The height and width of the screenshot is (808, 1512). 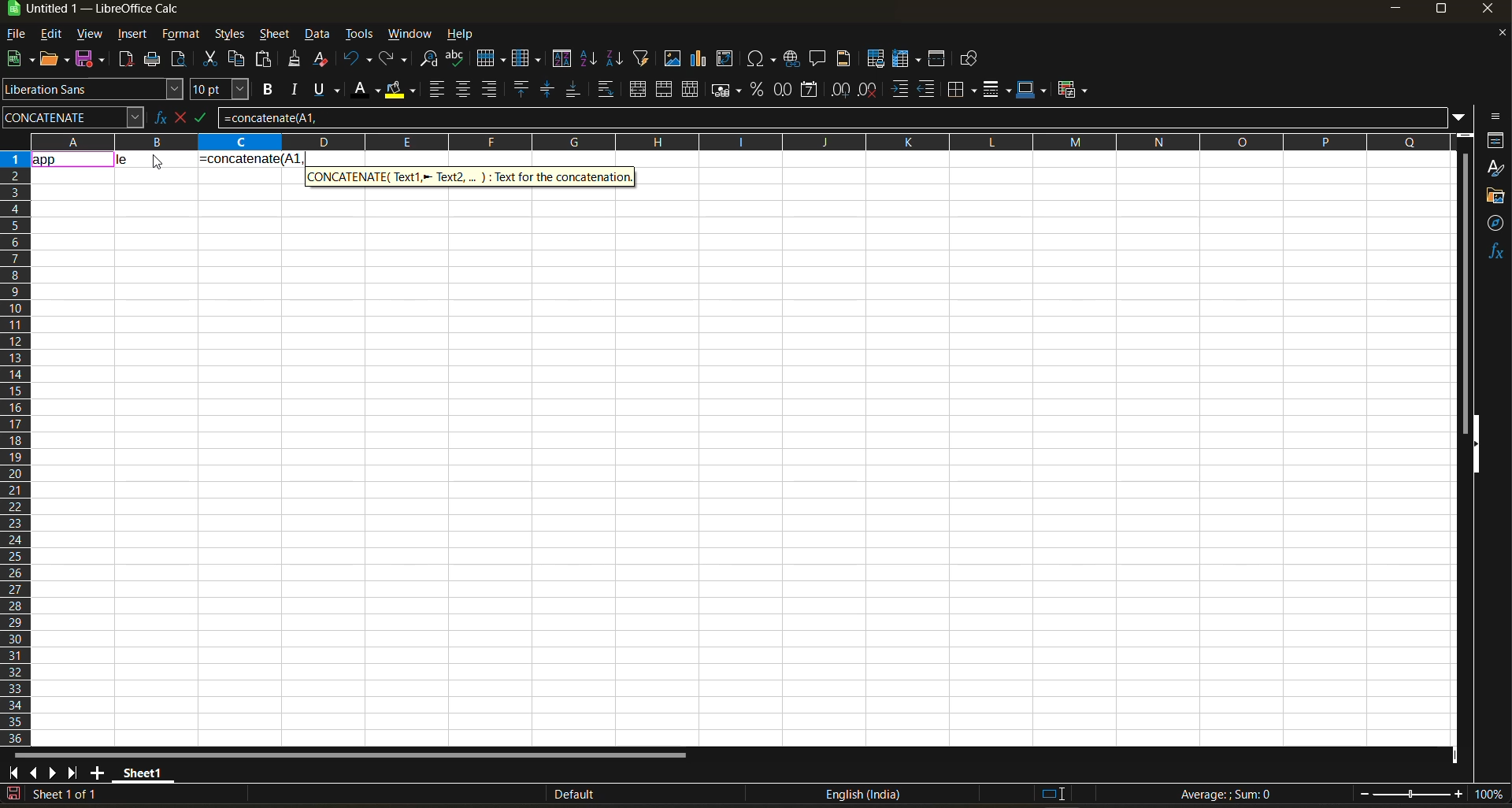 I want to click on borders, so click(x=962, y=90).